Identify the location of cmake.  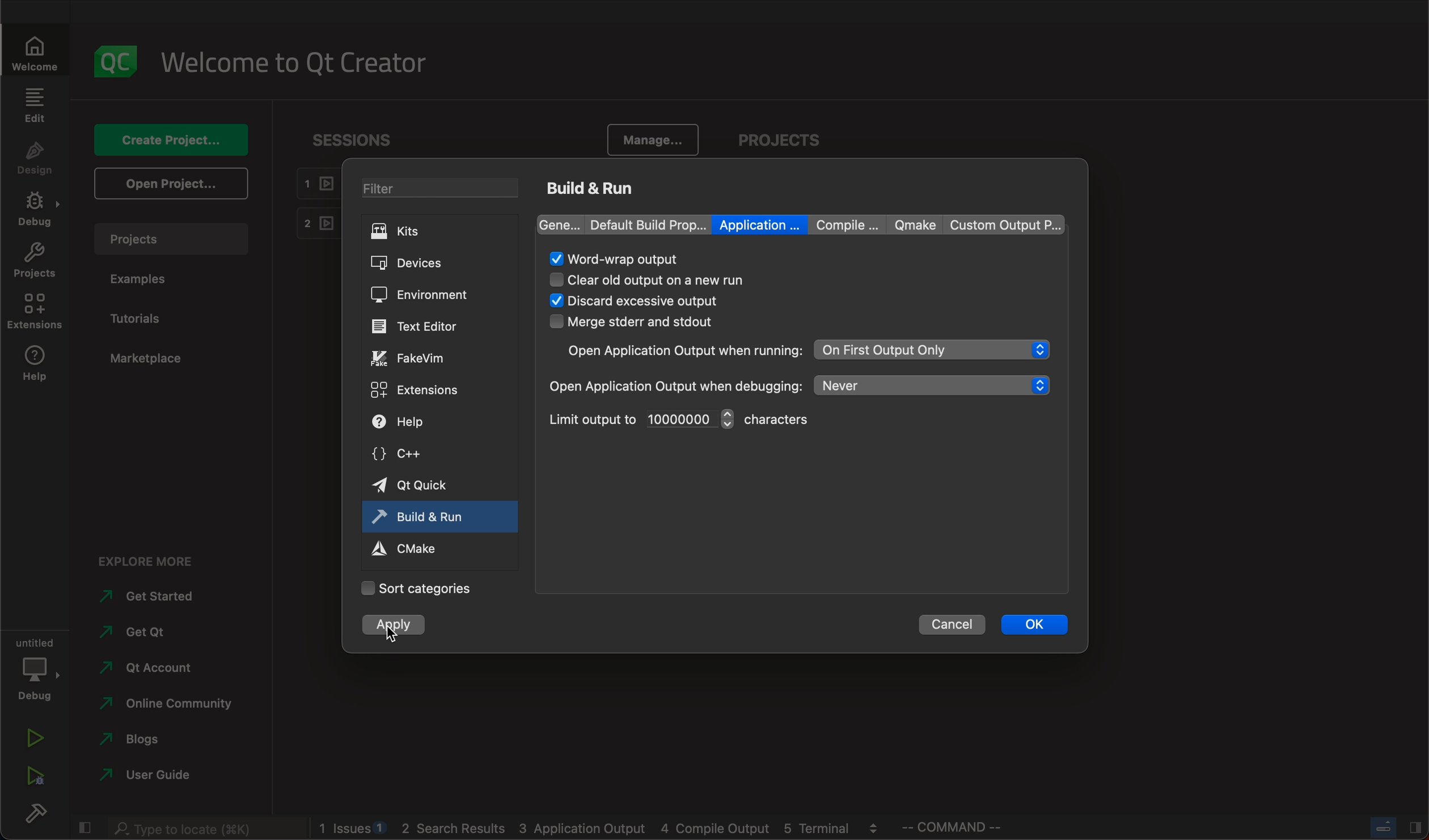
(415, 548).